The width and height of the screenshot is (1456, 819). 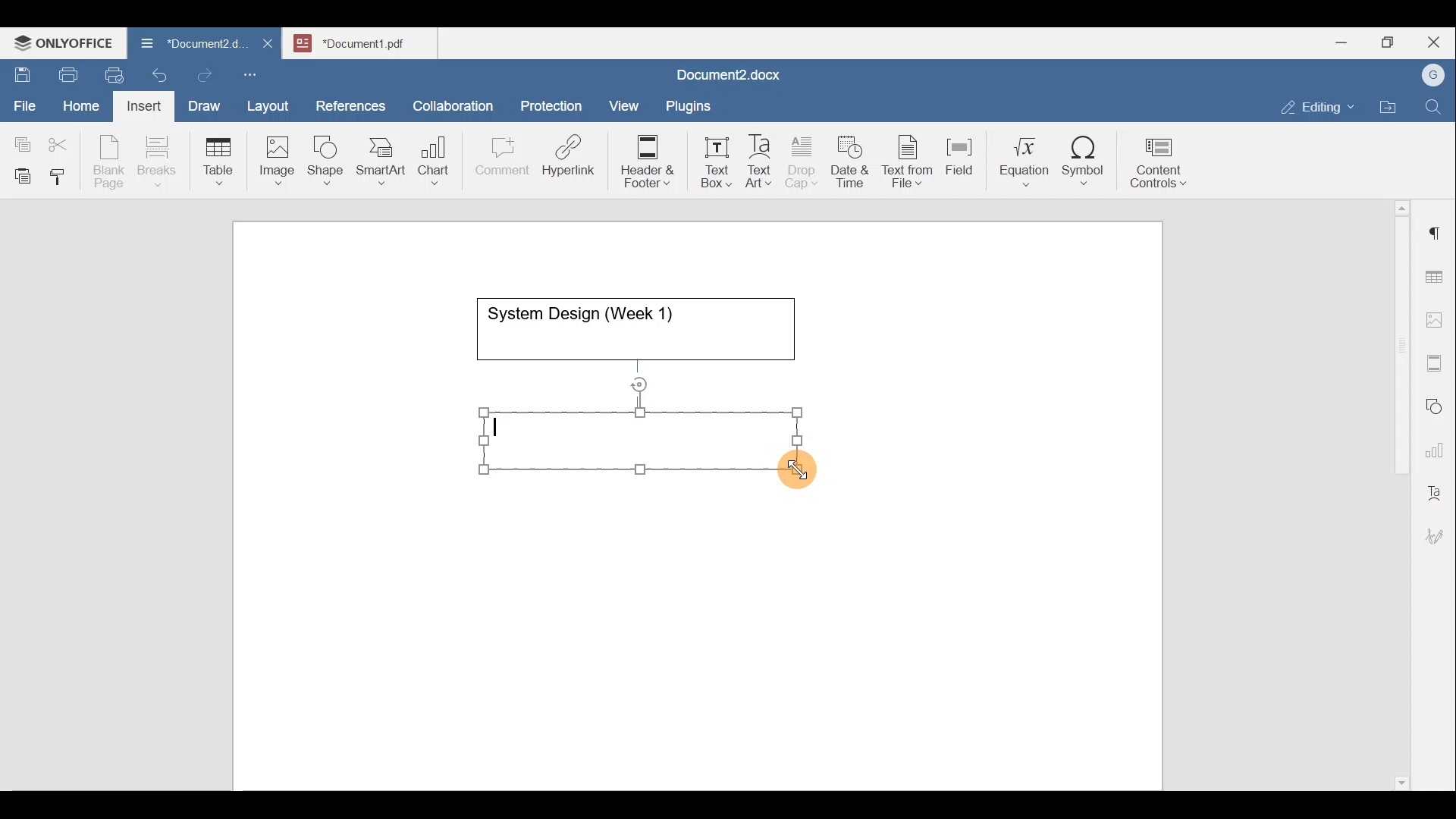 What do you see at coordinates (369, 41) in the screenshot?
I see `Document name` at bounding box center [369, 41].